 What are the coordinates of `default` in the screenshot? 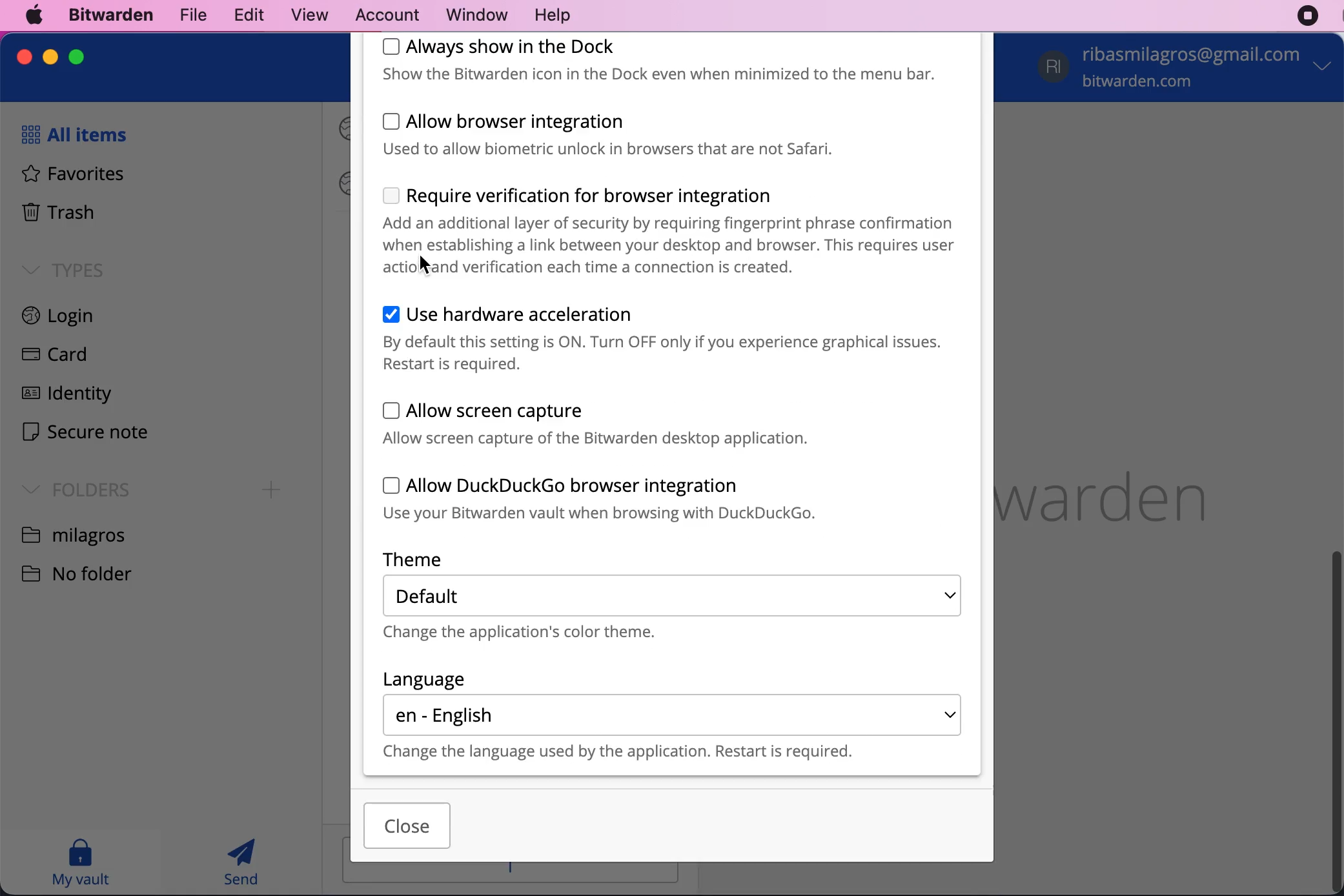 It's located at (673, 595).